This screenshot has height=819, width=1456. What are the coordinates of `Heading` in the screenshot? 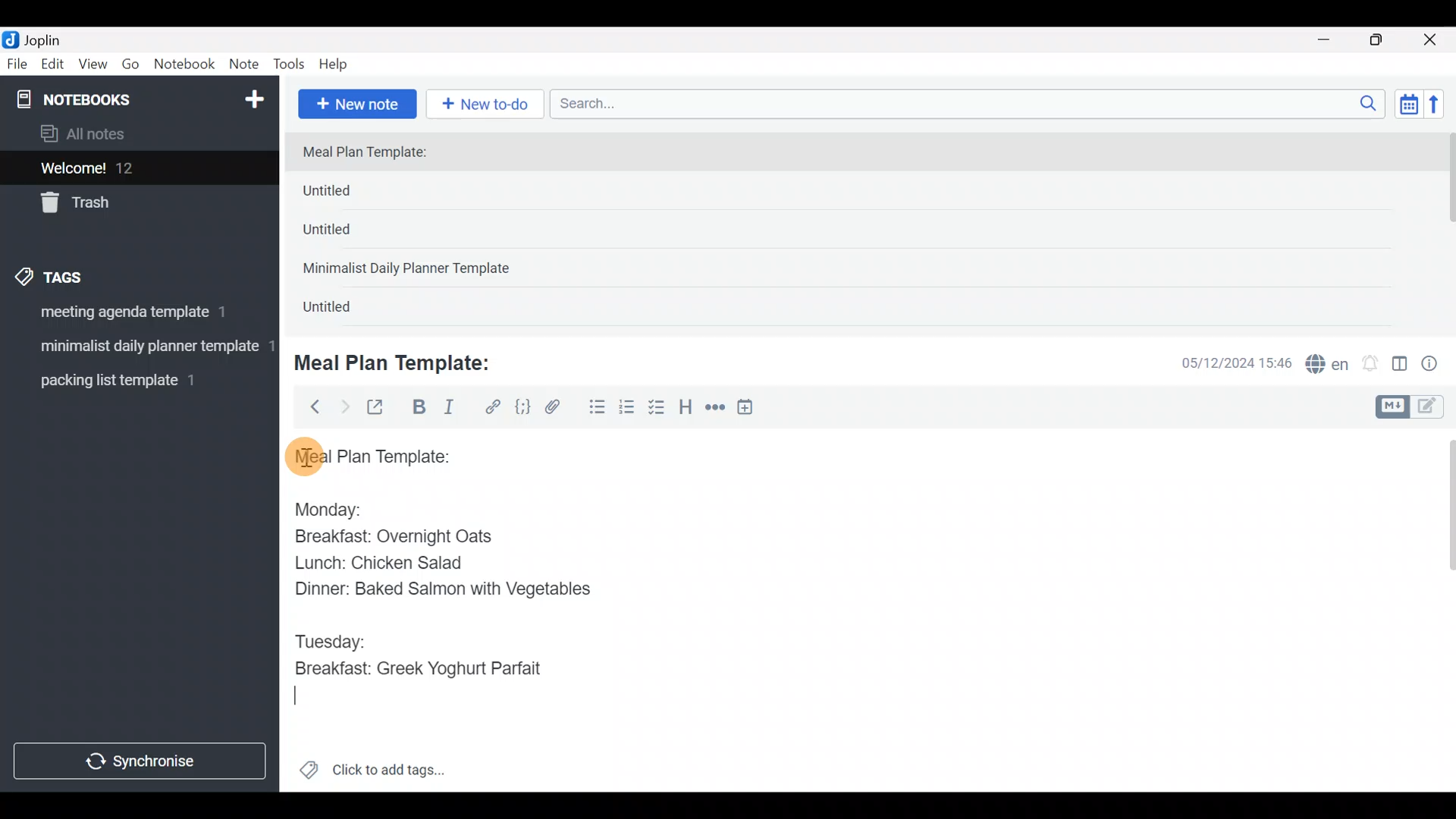 It's located at (686, 409).